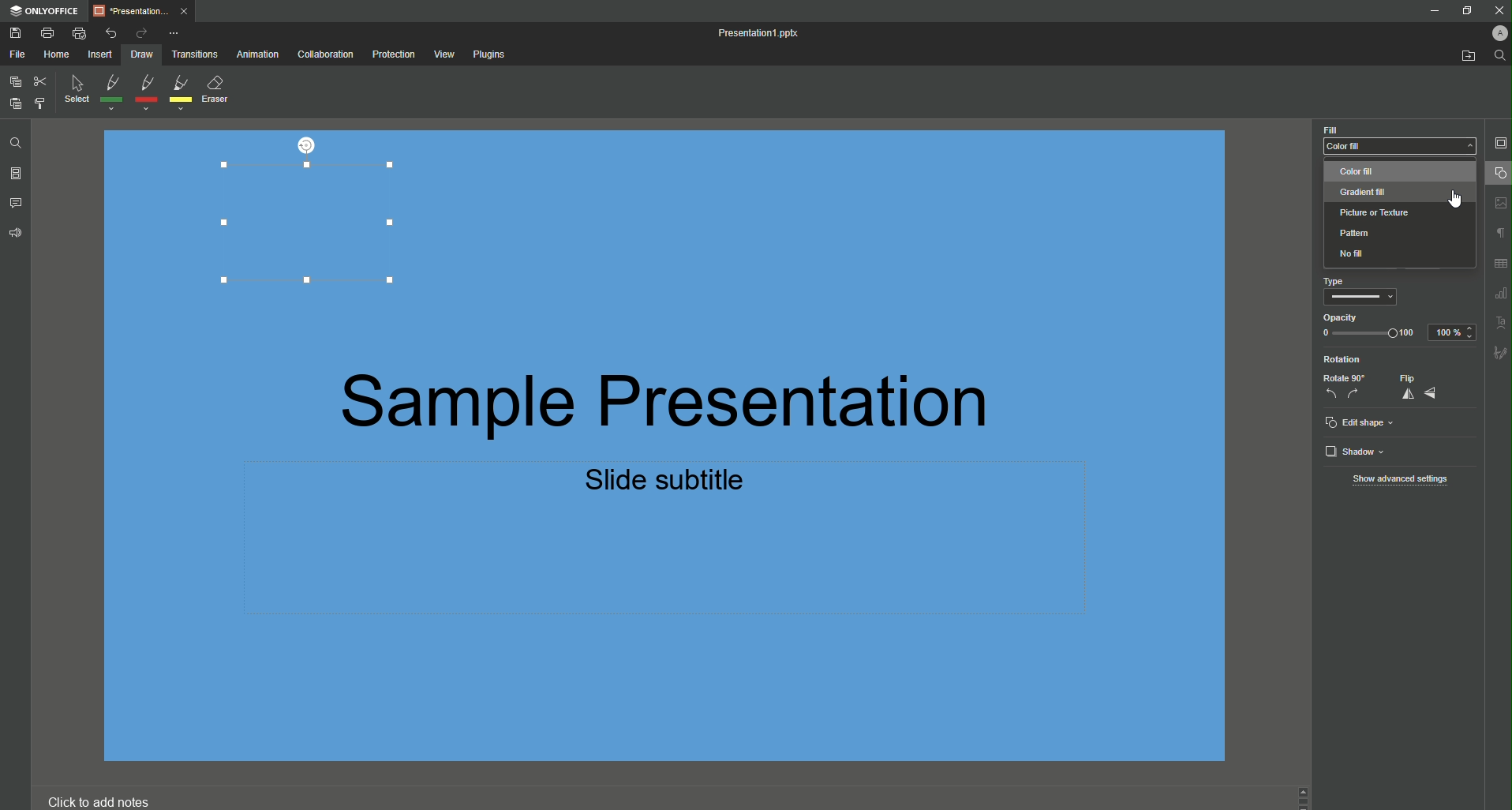 This screenshot has height=810, width=1512. What do you see at coordinates (1358, 452) in the screenshot?
I see `Shadow` at bounding box center [1358, 452].